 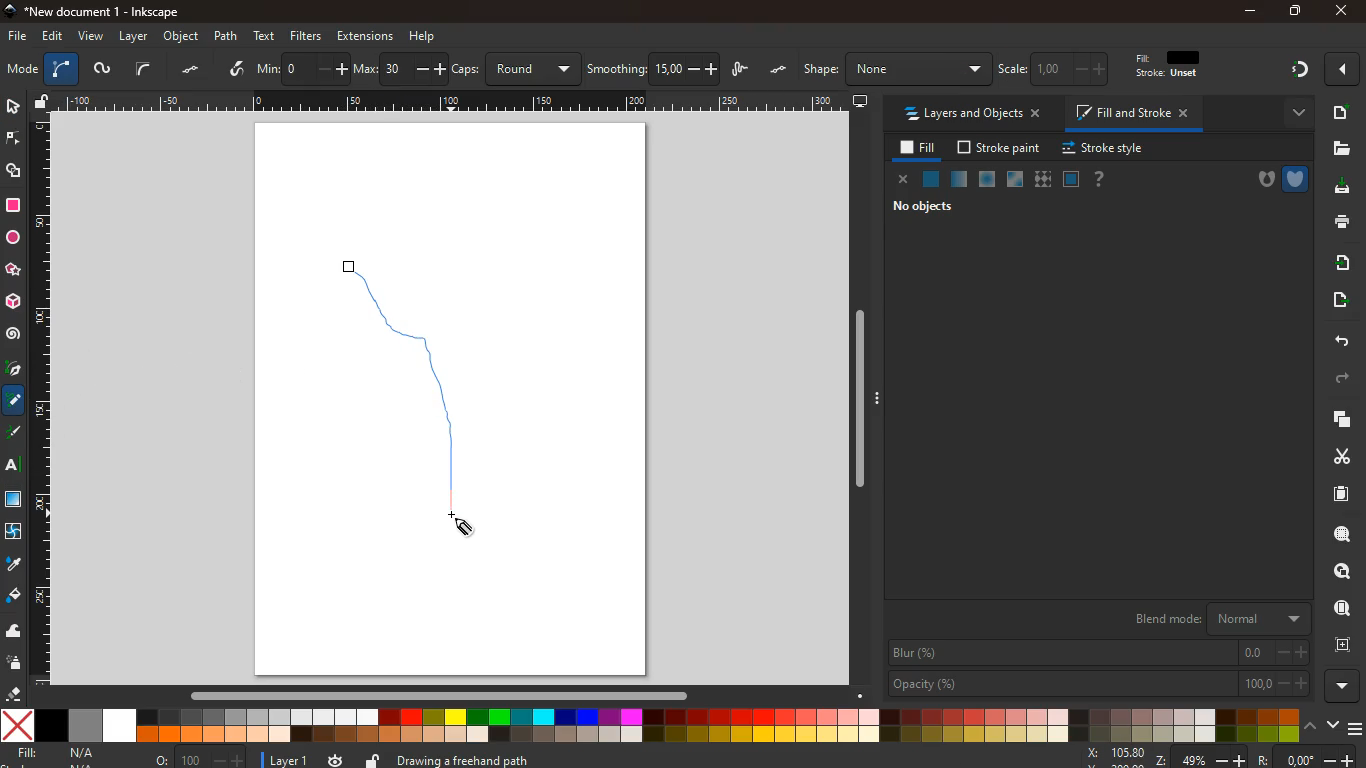 What do you see at coordinates (144, 69) in the screenshot?
I see `select` at bounding box center [144, 69].